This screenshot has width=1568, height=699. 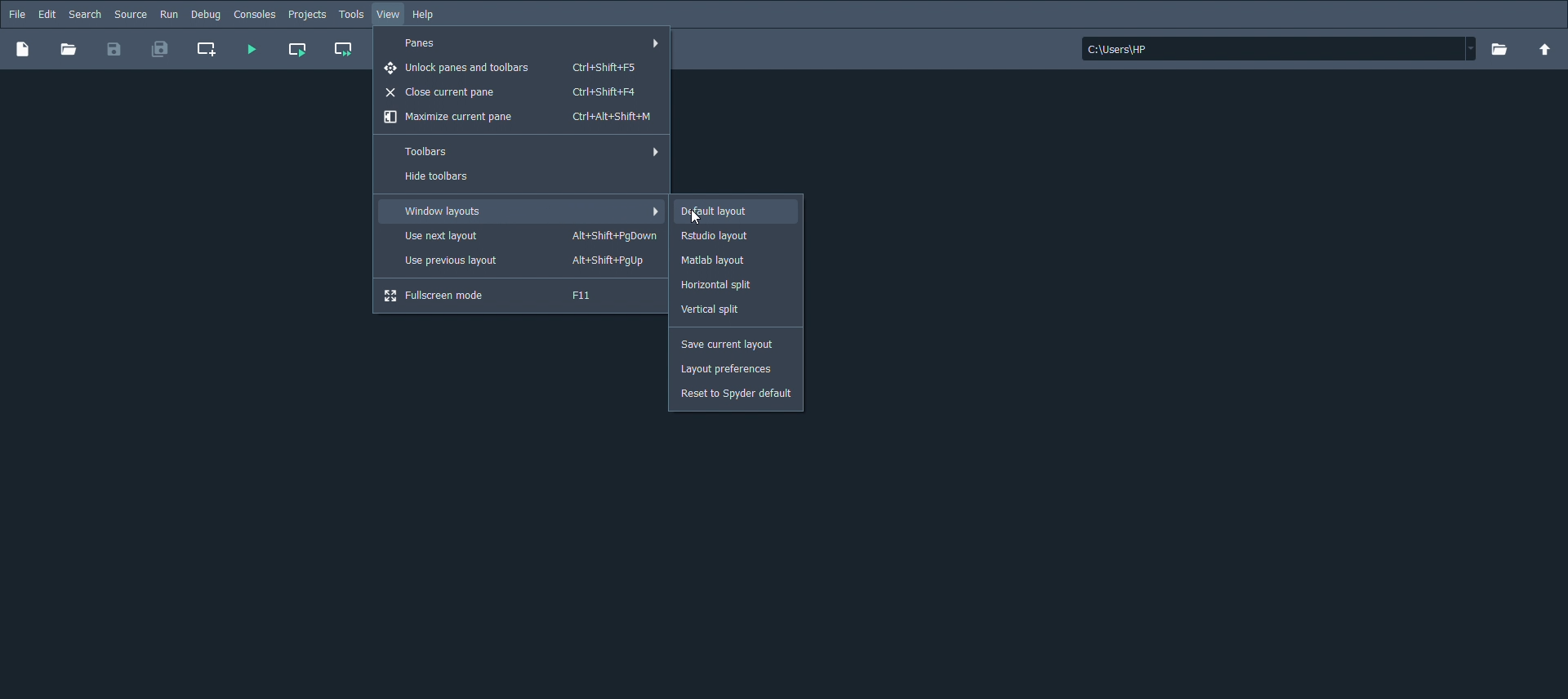 I want to click on Run file, so click(x=252, y=50).